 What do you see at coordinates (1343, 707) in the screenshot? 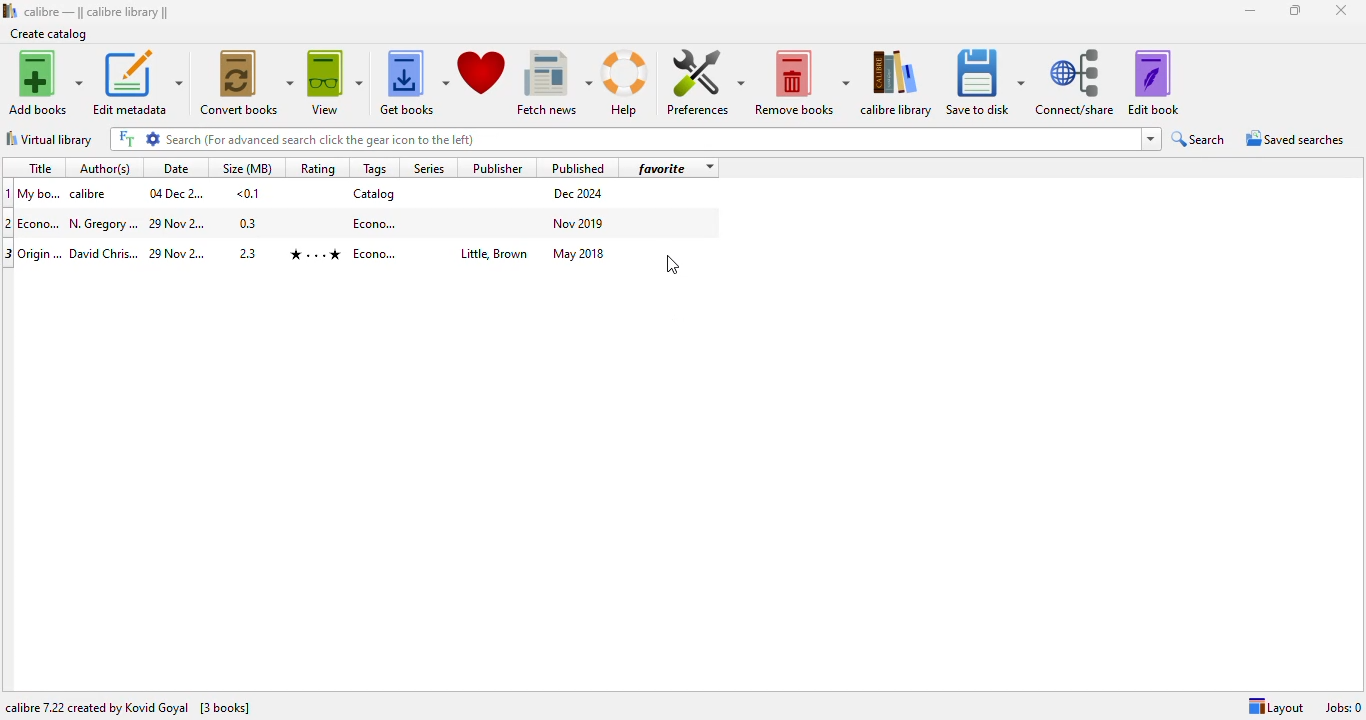
I see `jobs: 0` at bounding box center [1343, 707].